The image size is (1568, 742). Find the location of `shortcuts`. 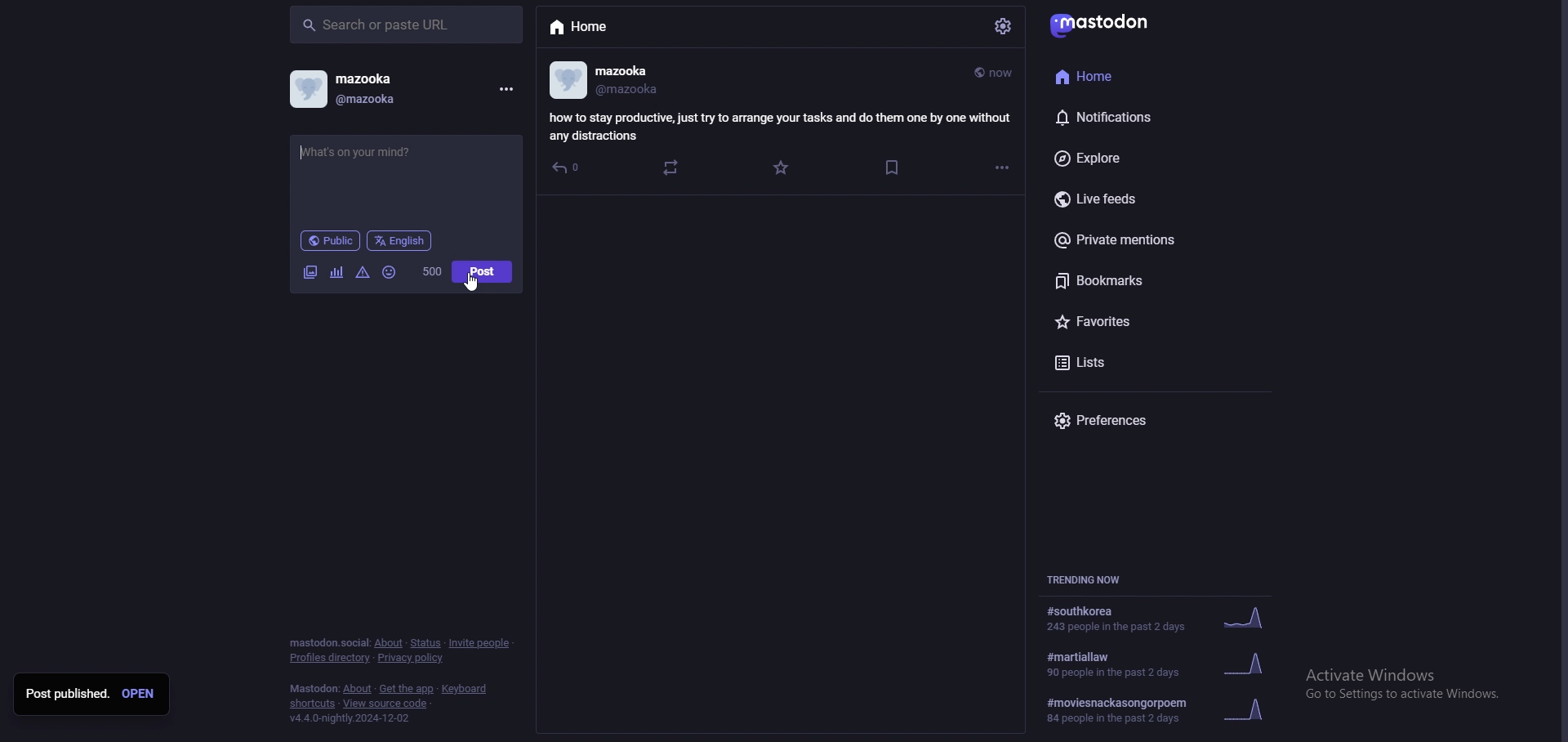

shortcuts is located at coordinates (310, 704).